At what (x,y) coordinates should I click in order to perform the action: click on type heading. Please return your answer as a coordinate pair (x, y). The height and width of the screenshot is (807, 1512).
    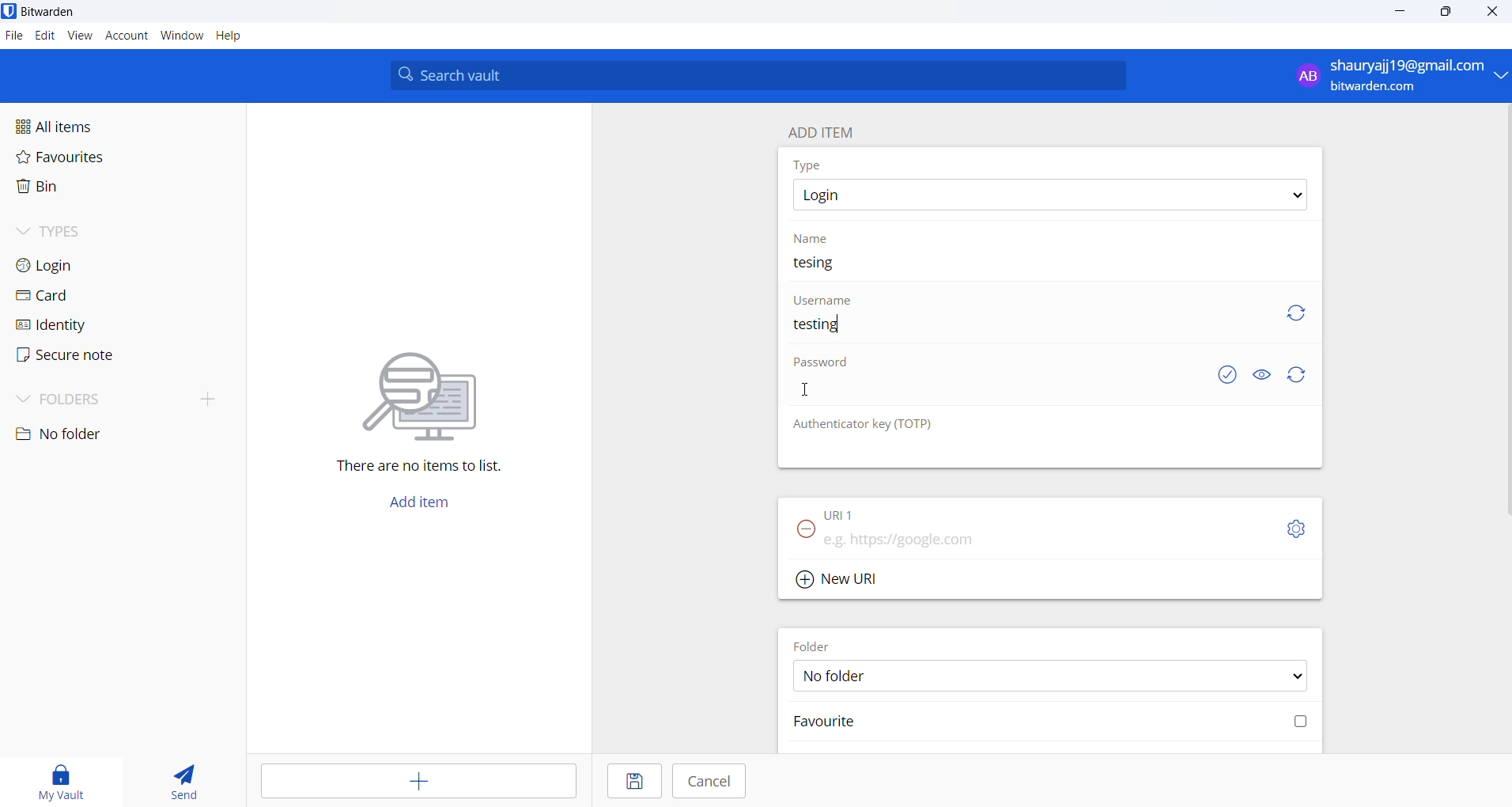
    Looking at the image, I should click on (811, 166).